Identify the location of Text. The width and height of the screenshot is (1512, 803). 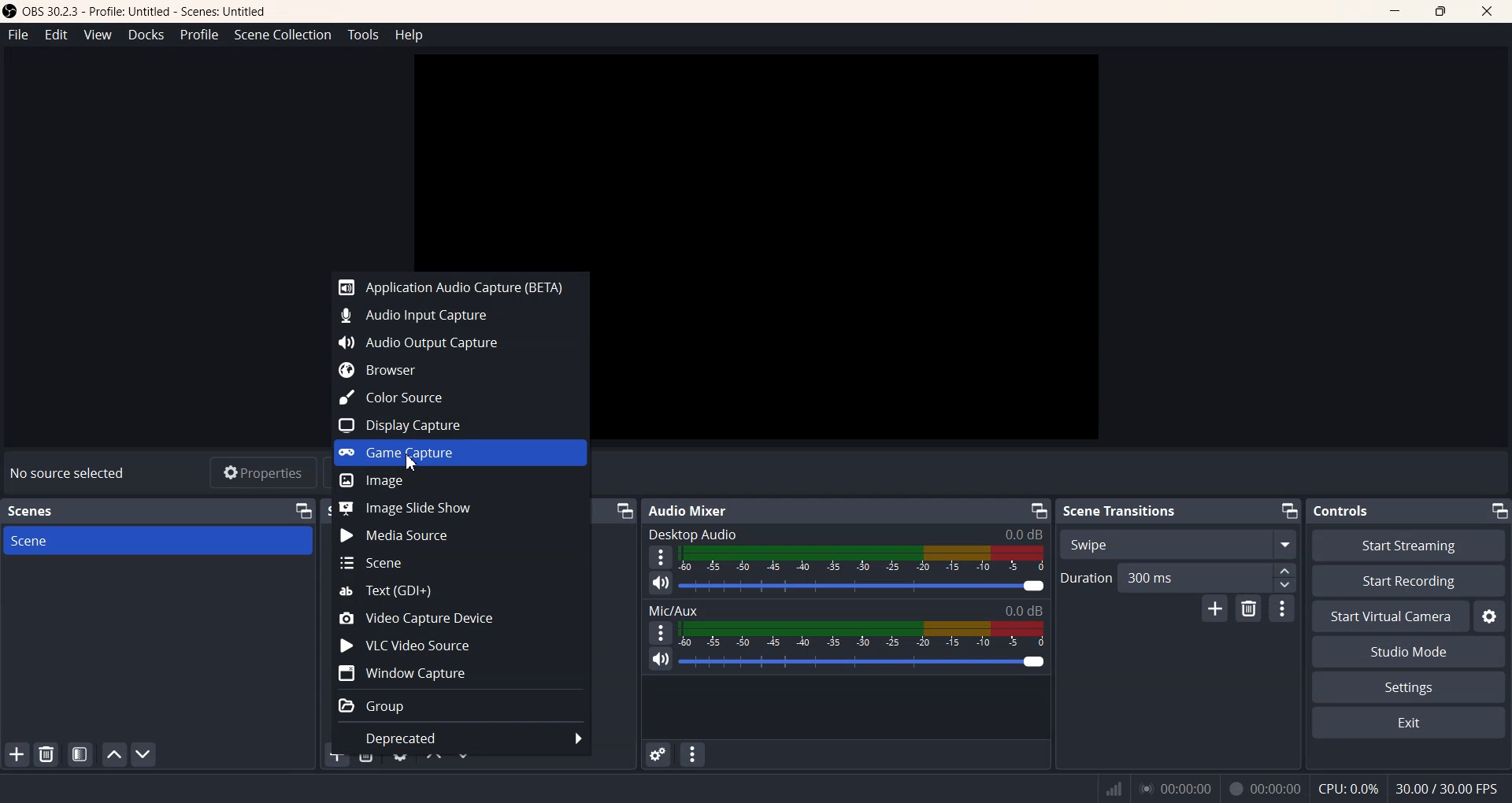
(35, 512).